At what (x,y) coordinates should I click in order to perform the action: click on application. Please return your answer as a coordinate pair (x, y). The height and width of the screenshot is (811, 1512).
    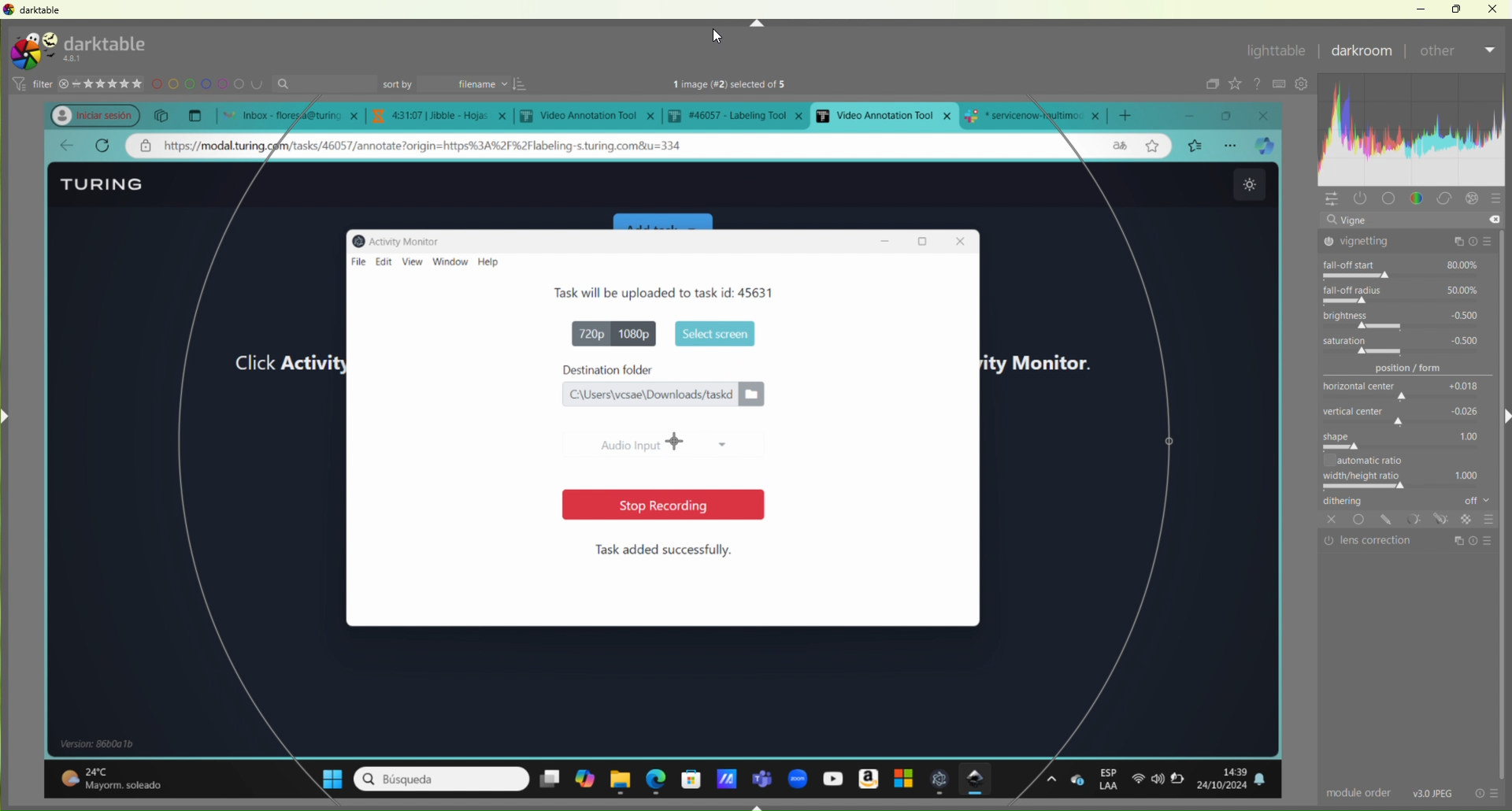
    Looking at the image, I should click on (725, 775).